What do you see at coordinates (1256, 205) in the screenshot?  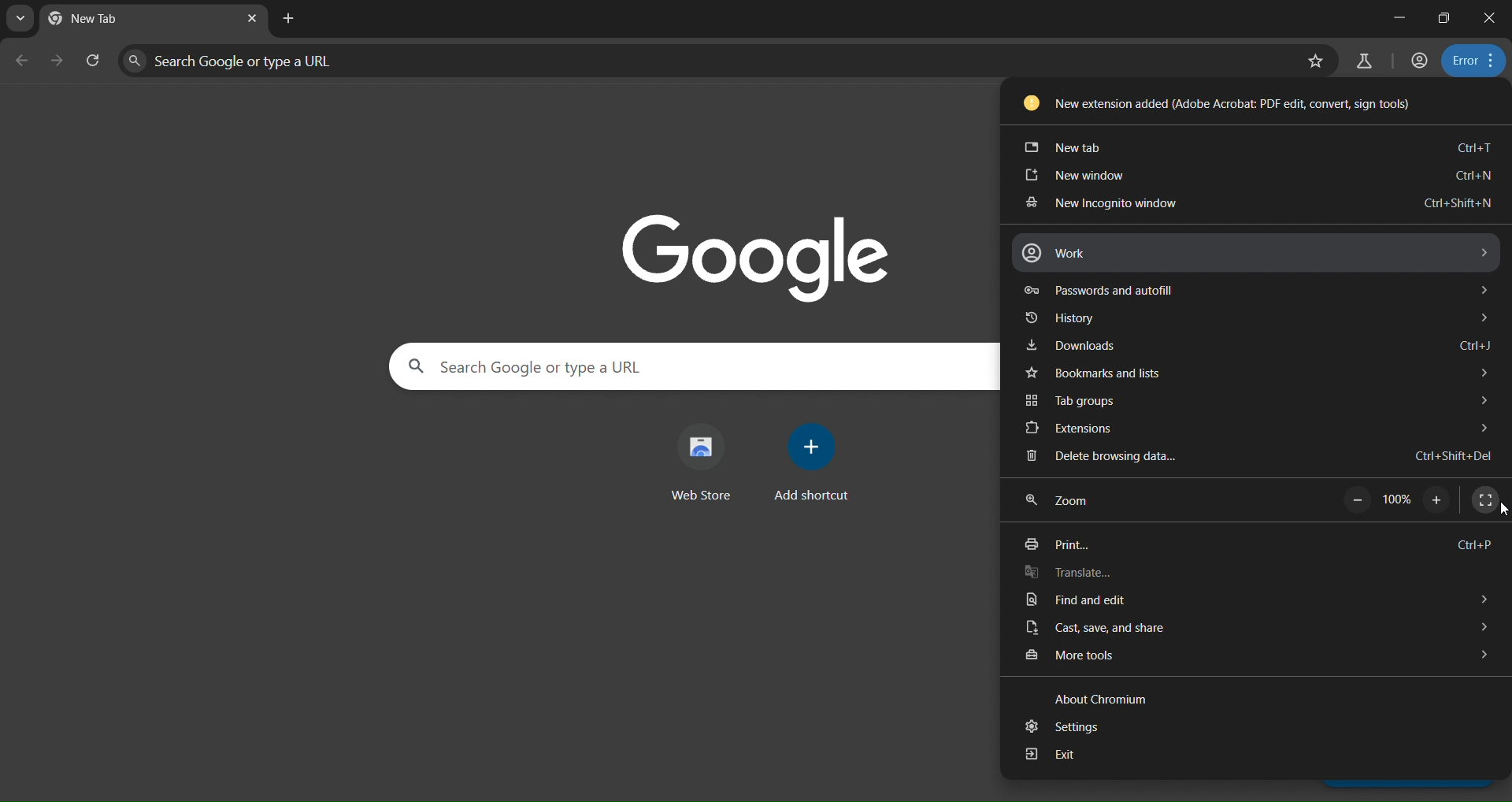 I see `new incognito window` at bounding box center [1256, 205].